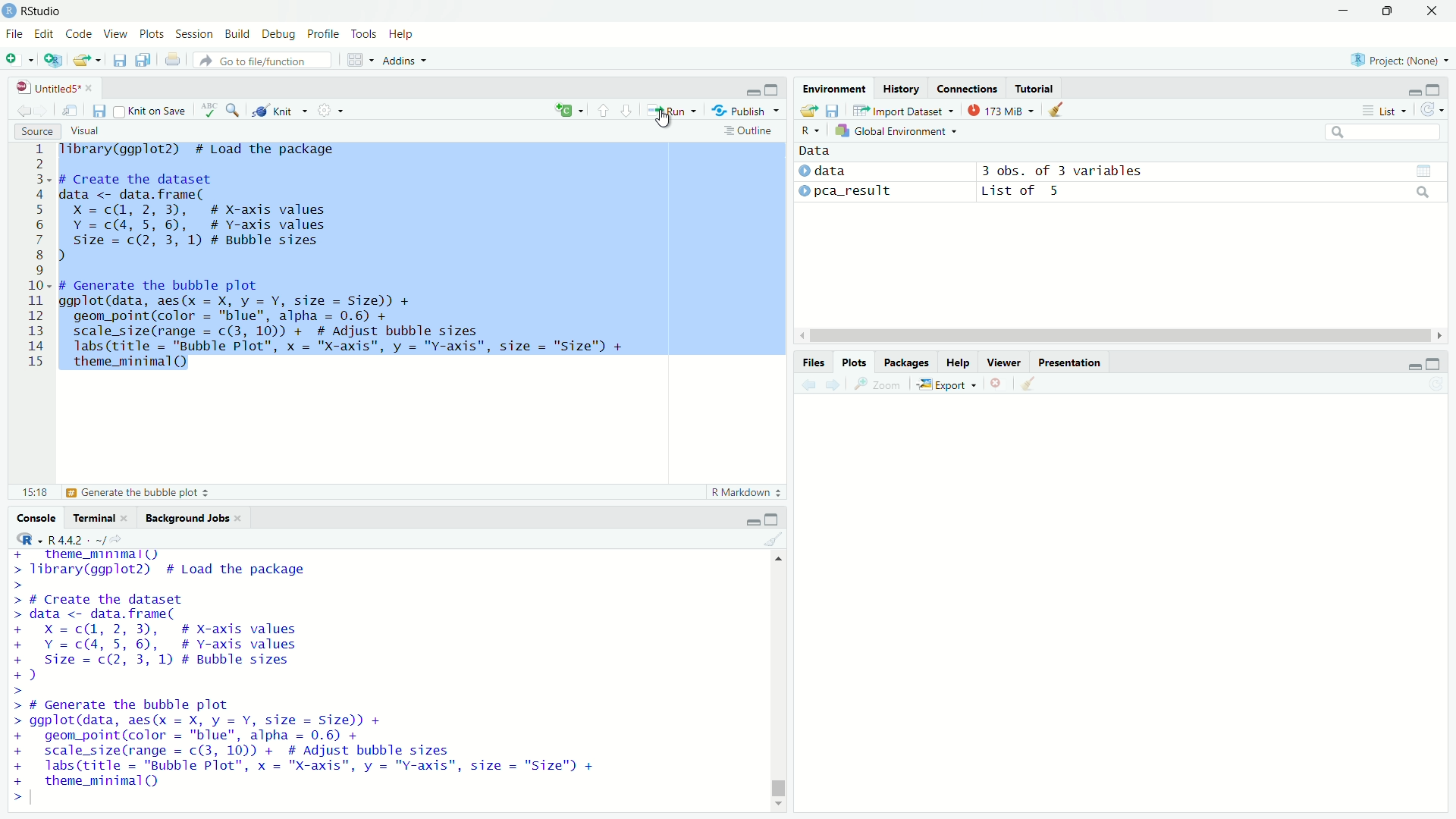 The width and height of the screenshot is (1456, 819). Describe the element at coordinates (1398, 59) in the screenshot. I see `selected project : none` at that location.